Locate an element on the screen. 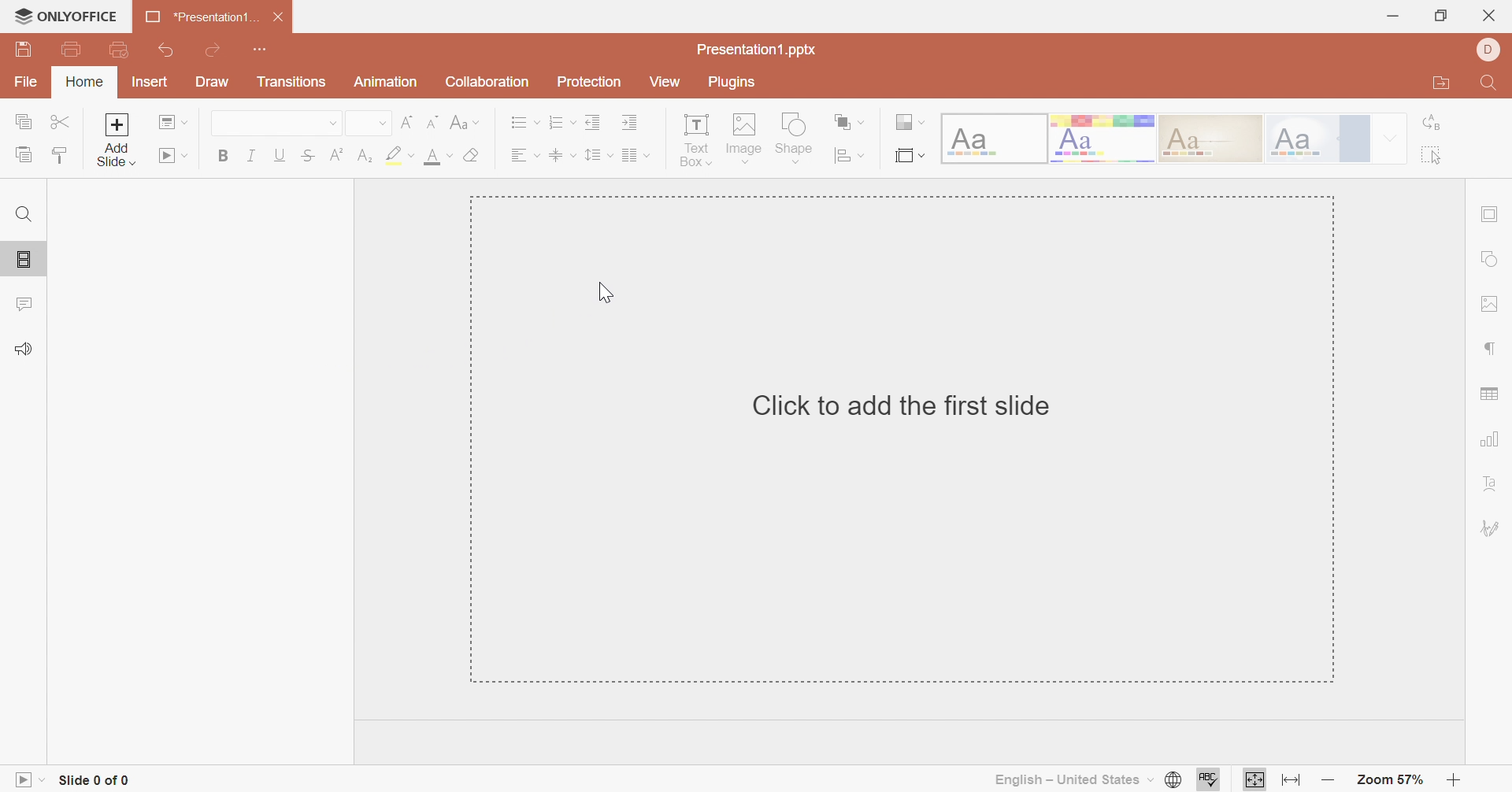 The height and width of the screenshot is (792, 1512). Align shape is located at coordinates (841, 156).